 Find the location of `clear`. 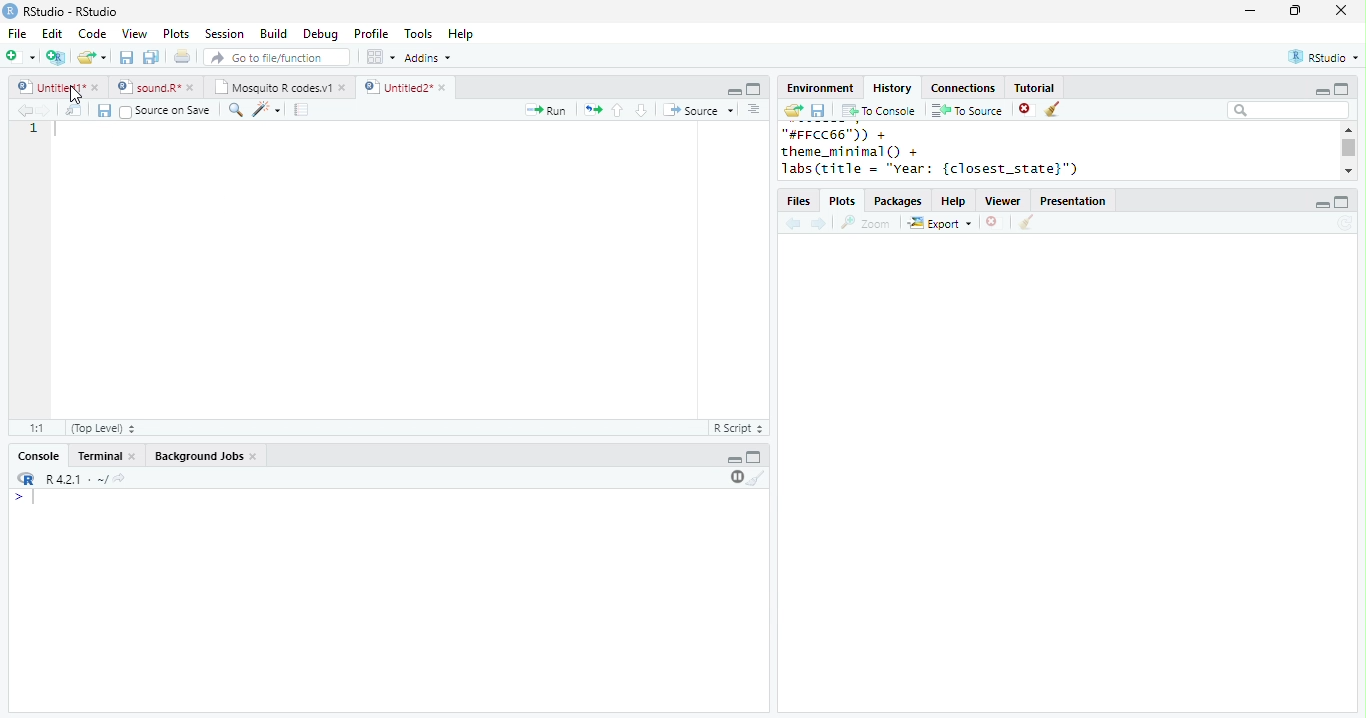

clear is located at coordinates (757, 477).